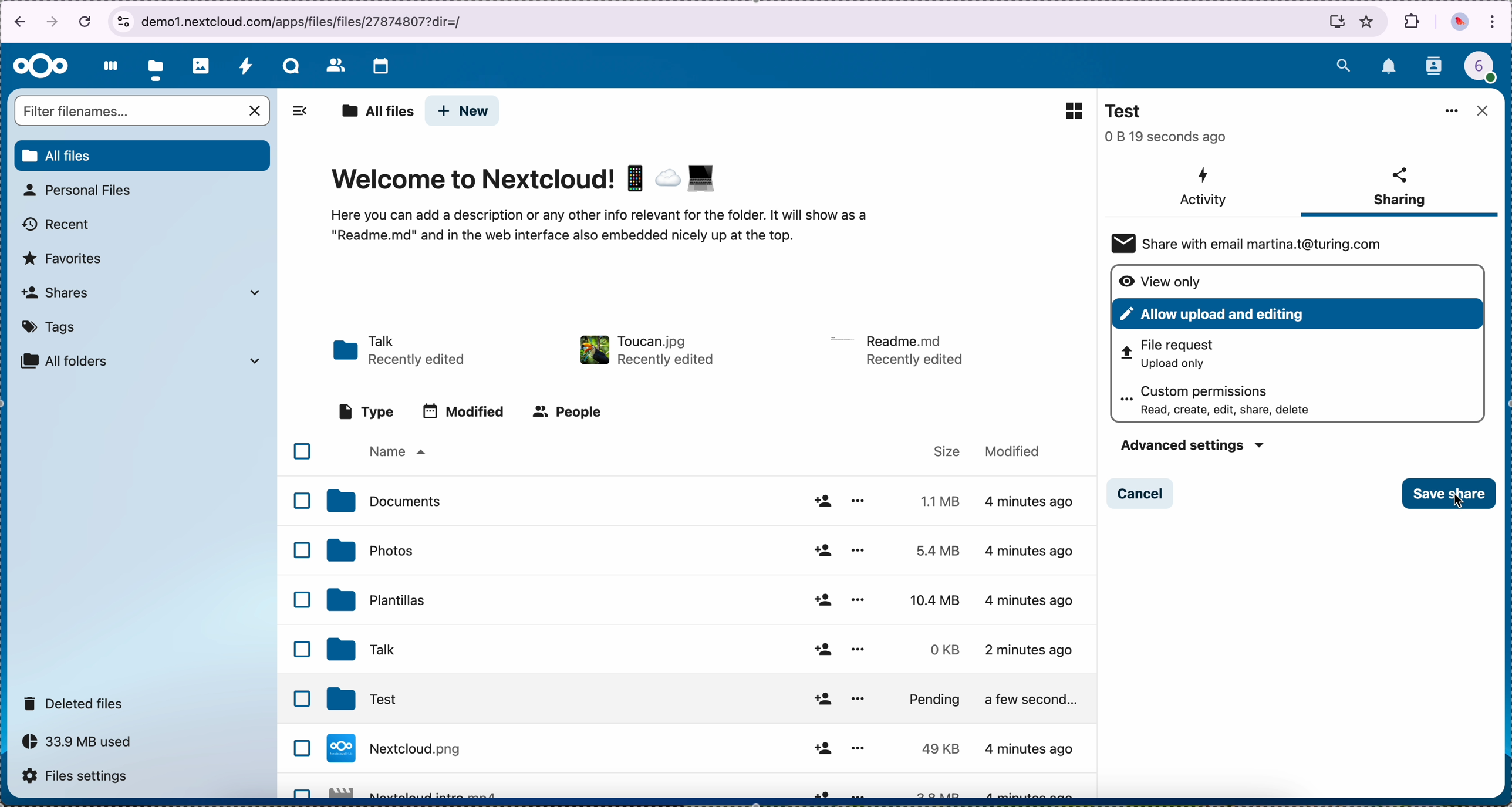 The height and width of the screenshot is (807, 1512). I want to click on file, so click(899, 349).